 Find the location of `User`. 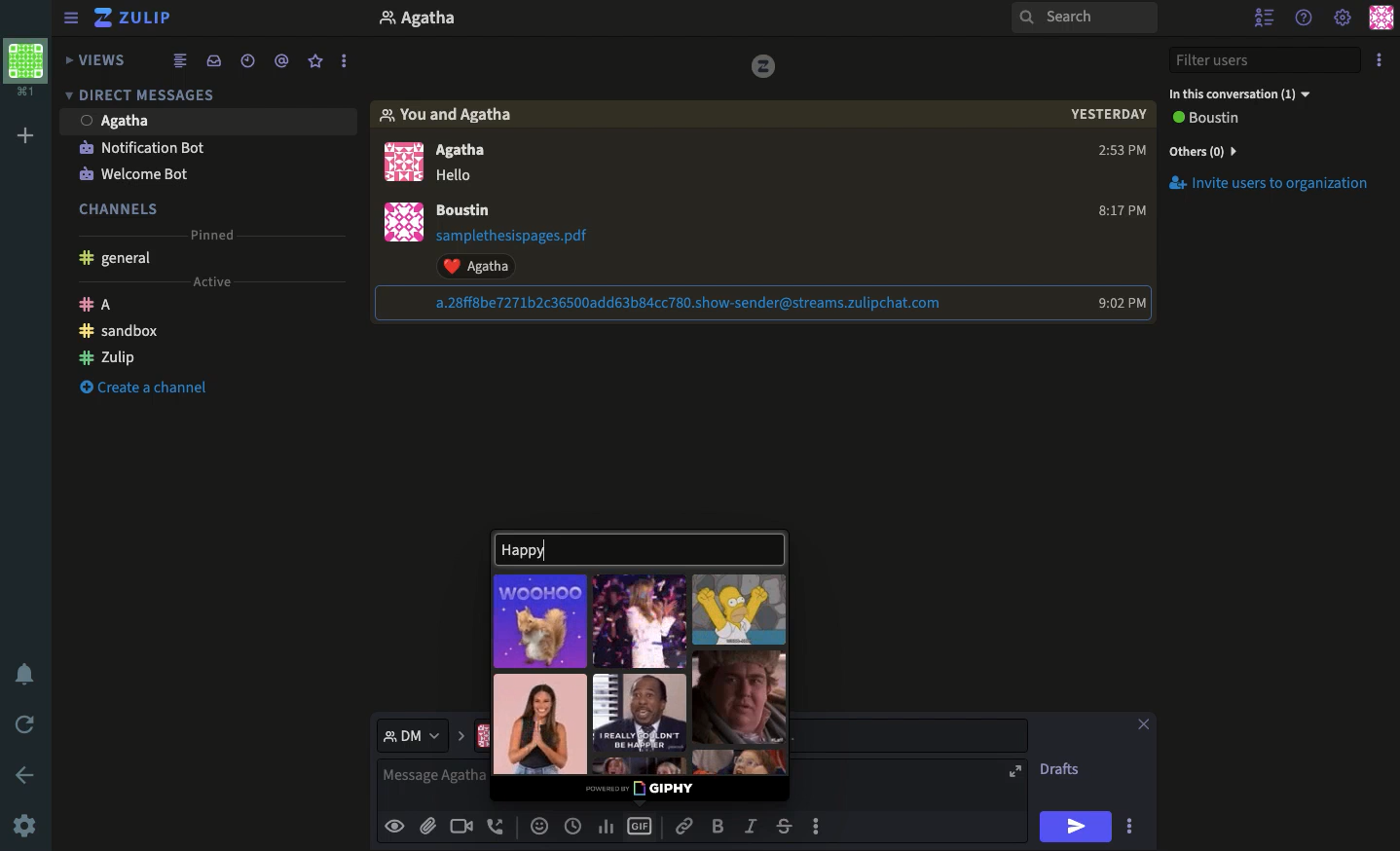

User is located at coordinates (475, 163).